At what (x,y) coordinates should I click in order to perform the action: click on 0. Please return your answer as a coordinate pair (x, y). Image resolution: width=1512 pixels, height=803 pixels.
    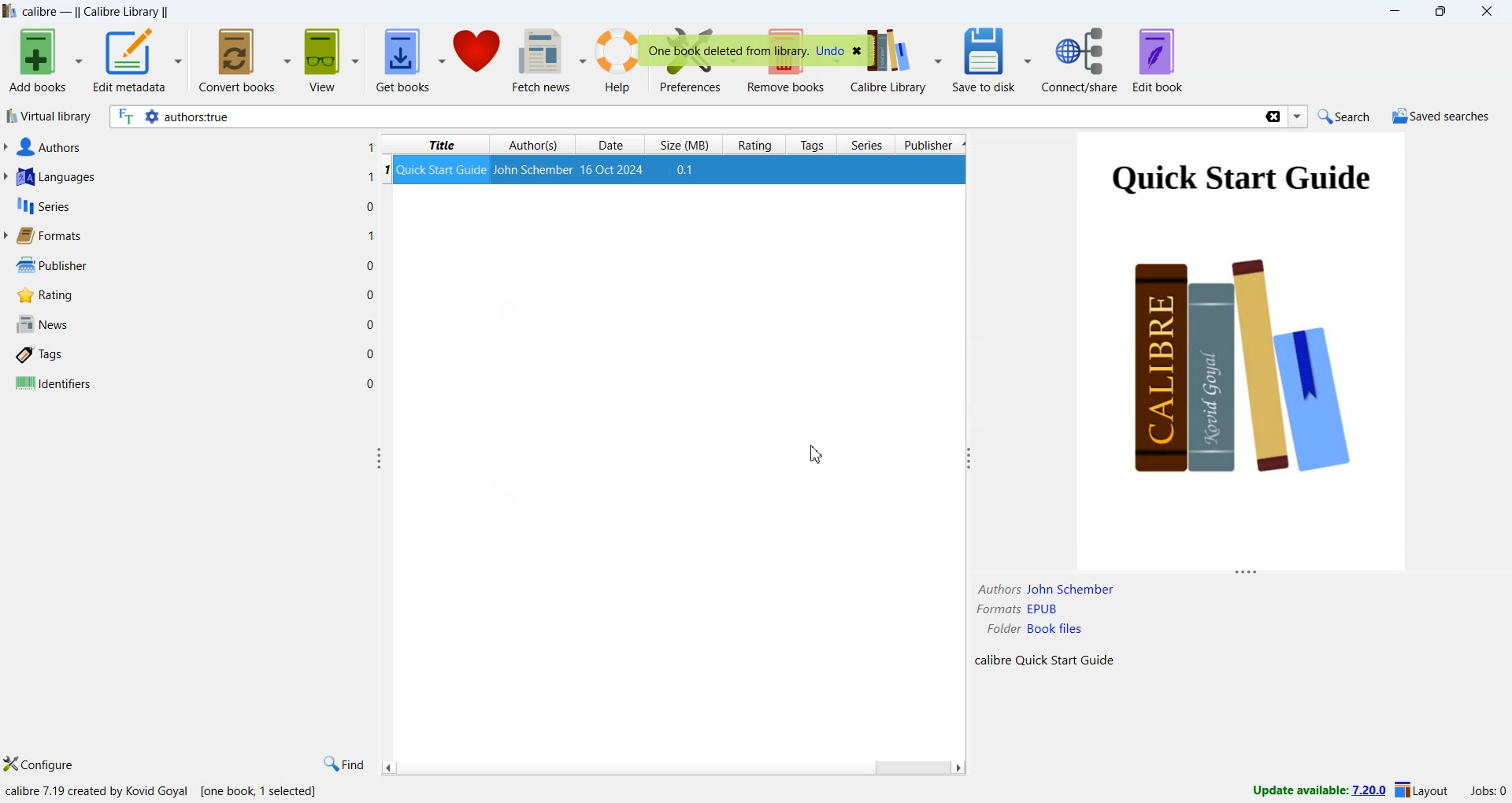
    Looking at the image, I should click on (371, 383).